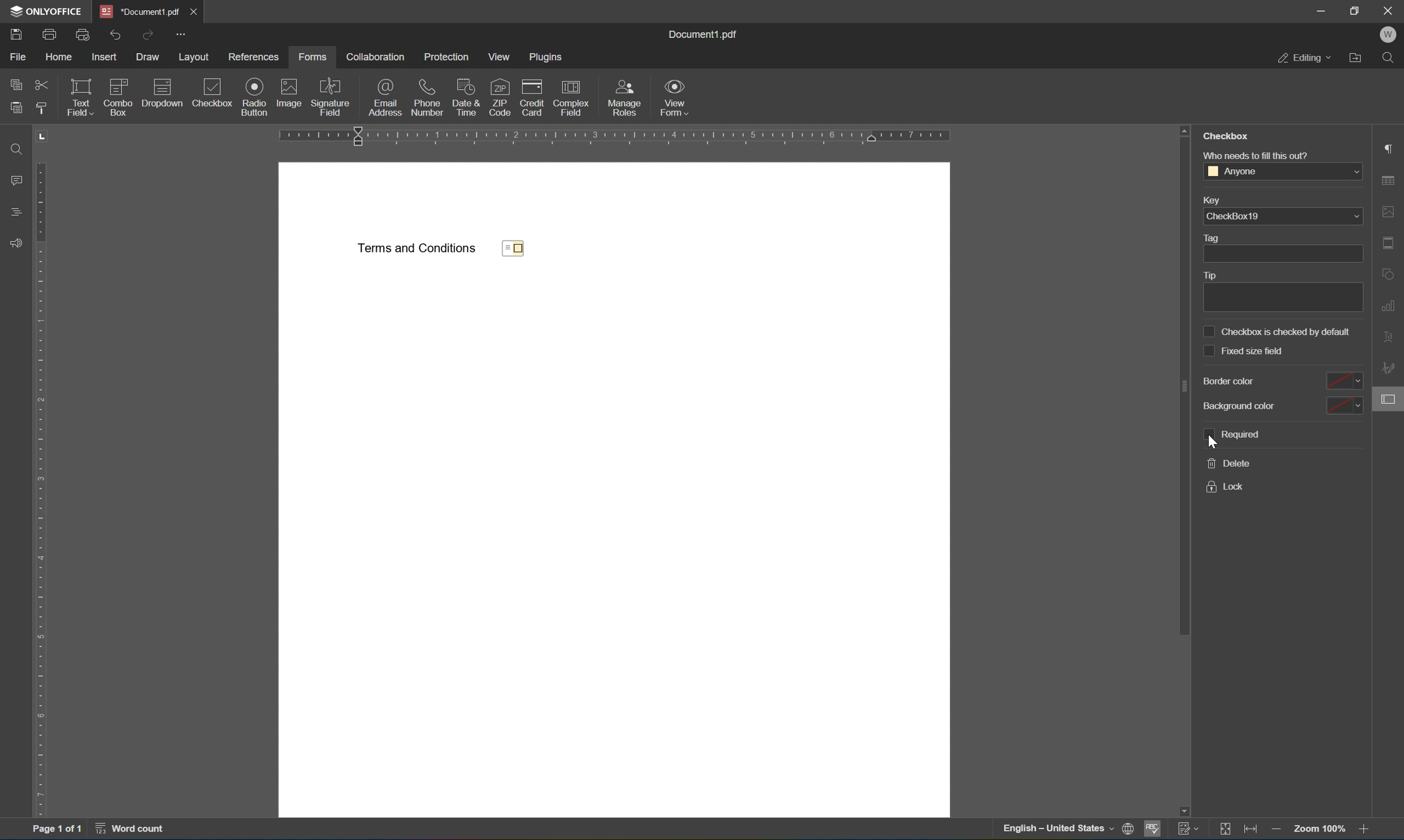 This screenshot has width=1404, height=840. Describe the element at coordinates (1279, 830) in the screenshot. I see `zoom out` at that location.